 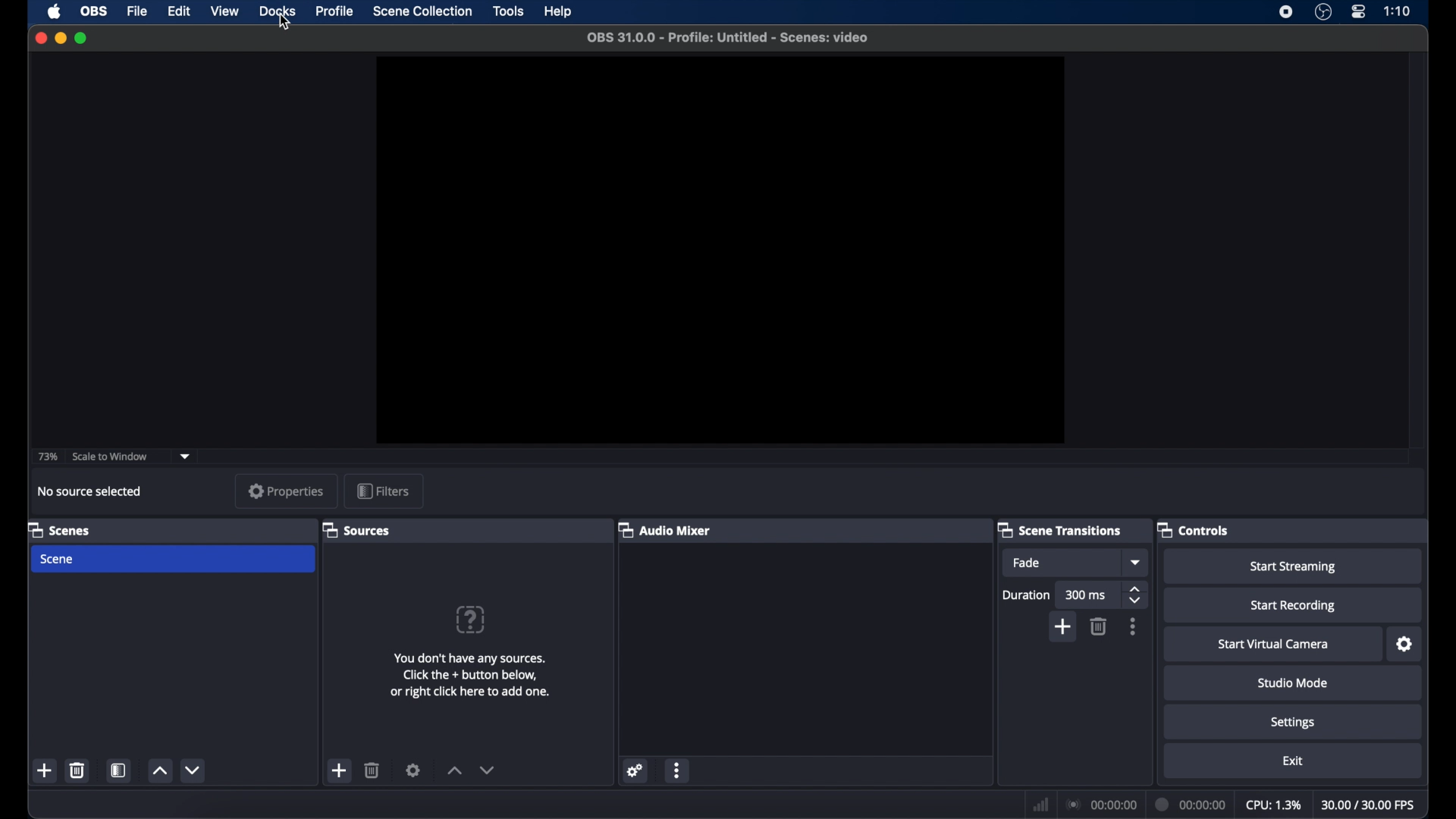 I want to click on stepper button, so click(x=1136, y=595).